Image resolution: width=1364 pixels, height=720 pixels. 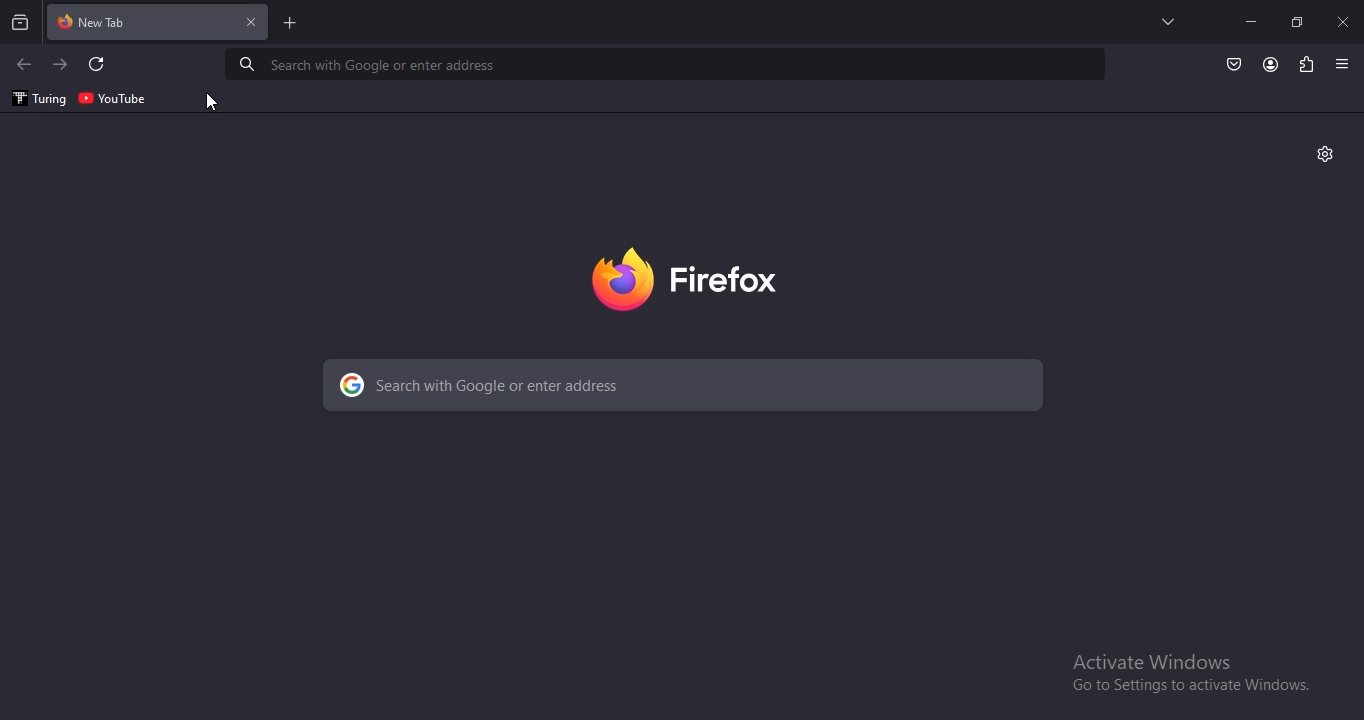 What do you see at coordinates (1269, 66) in the screenshot?
I see `account profile` at bounding box center [1269, 66].